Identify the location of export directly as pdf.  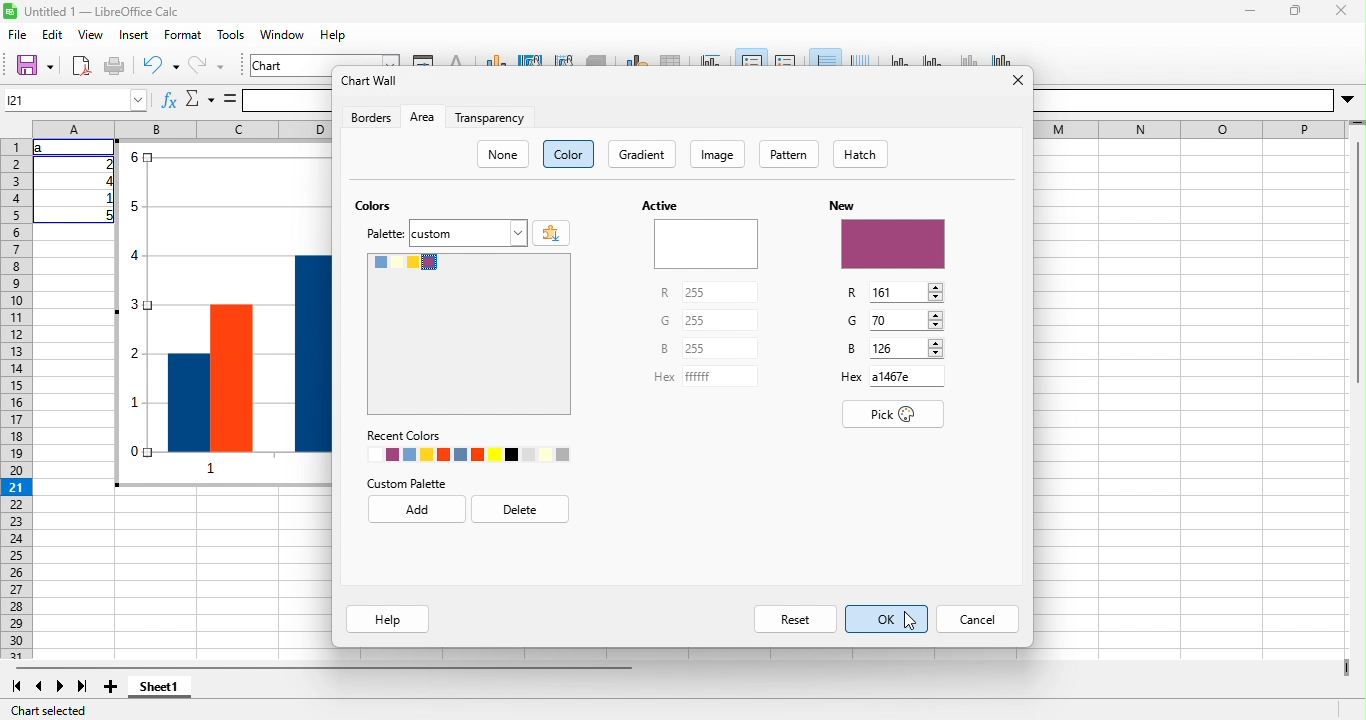
(81, 66).